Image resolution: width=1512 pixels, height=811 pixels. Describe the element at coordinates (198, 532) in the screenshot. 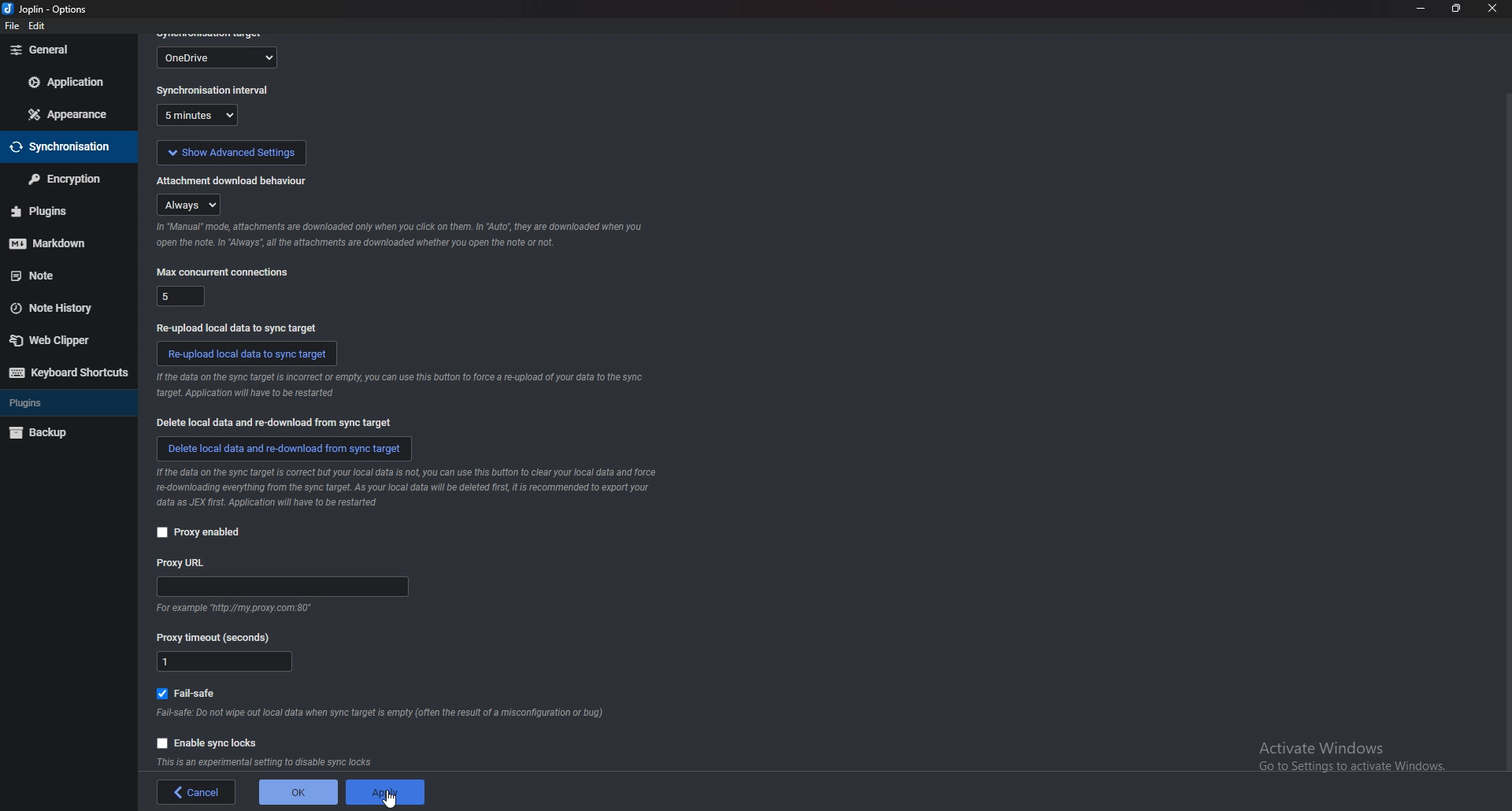

I see `proxy enabled` at that location.